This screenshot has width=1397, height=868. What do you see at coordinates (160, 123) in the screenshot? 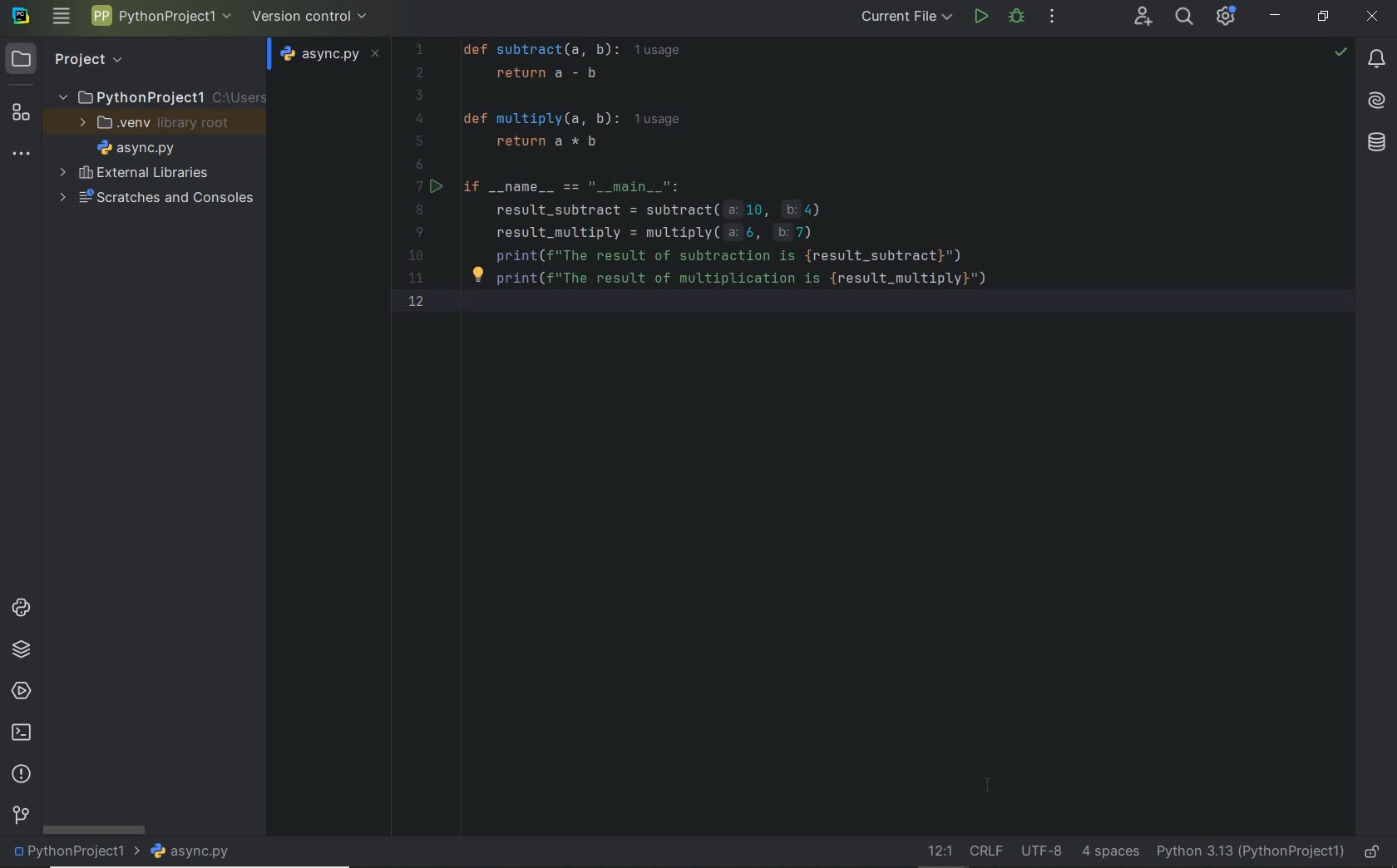
I see `.venv` at bounding box center [160, 123].